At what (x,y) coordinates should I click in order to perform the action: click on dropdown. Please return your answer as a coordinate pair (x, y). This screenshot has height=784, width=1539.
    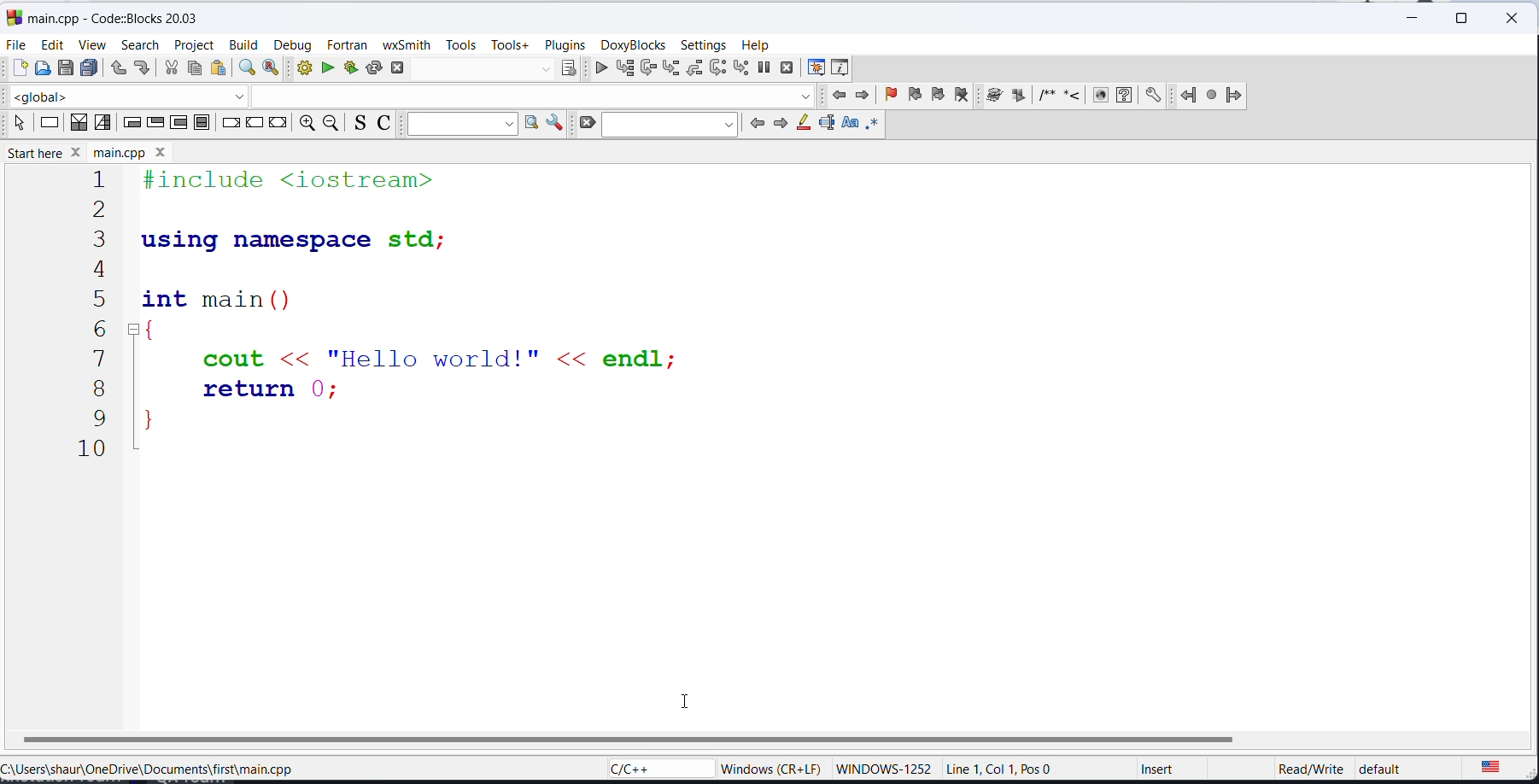
    Looking at the image, I should click on (244, 97).